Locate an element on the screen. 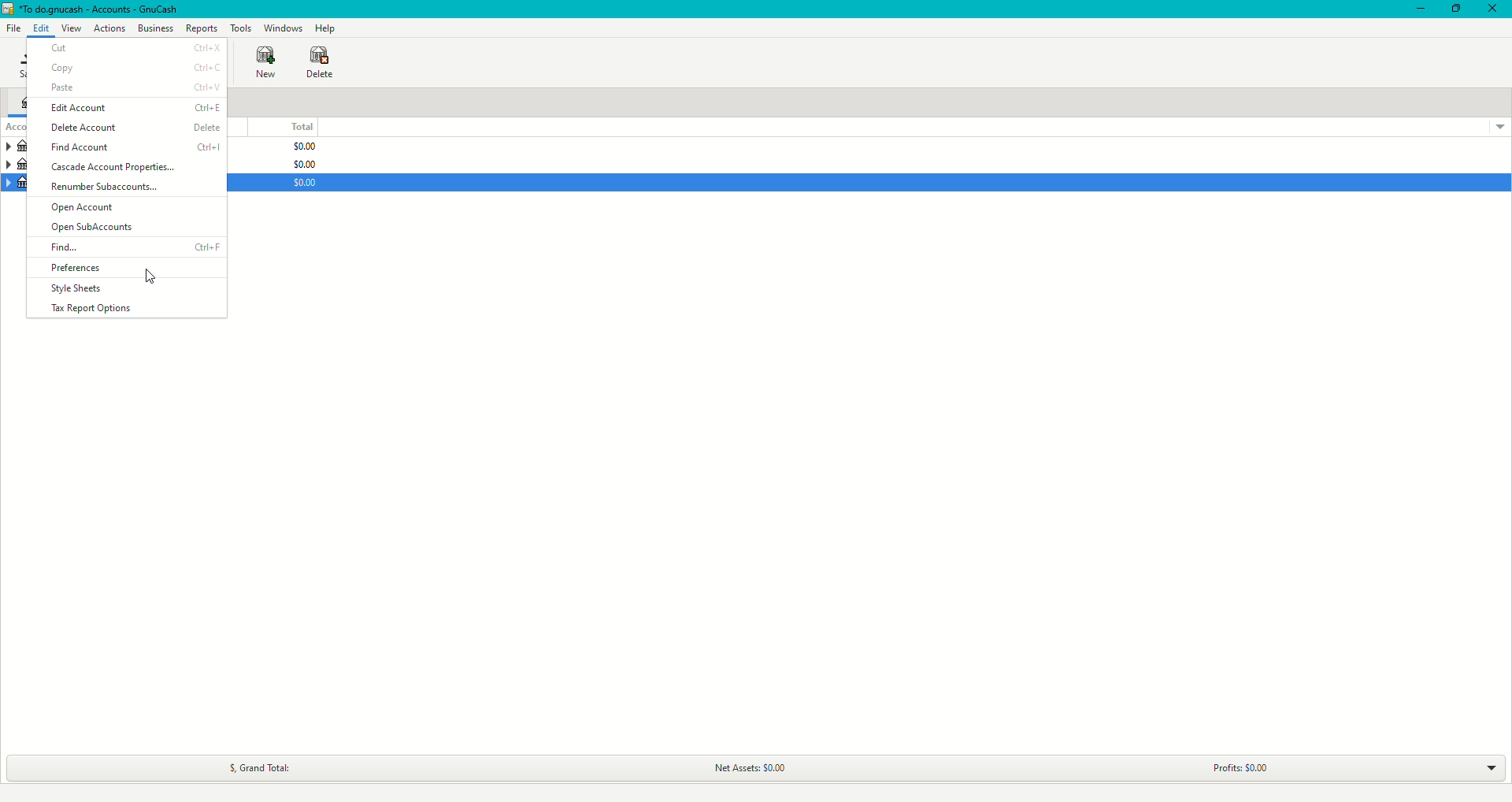 This screenshot has height=802, width=1512. cursor is located at coordinates (152, 276).